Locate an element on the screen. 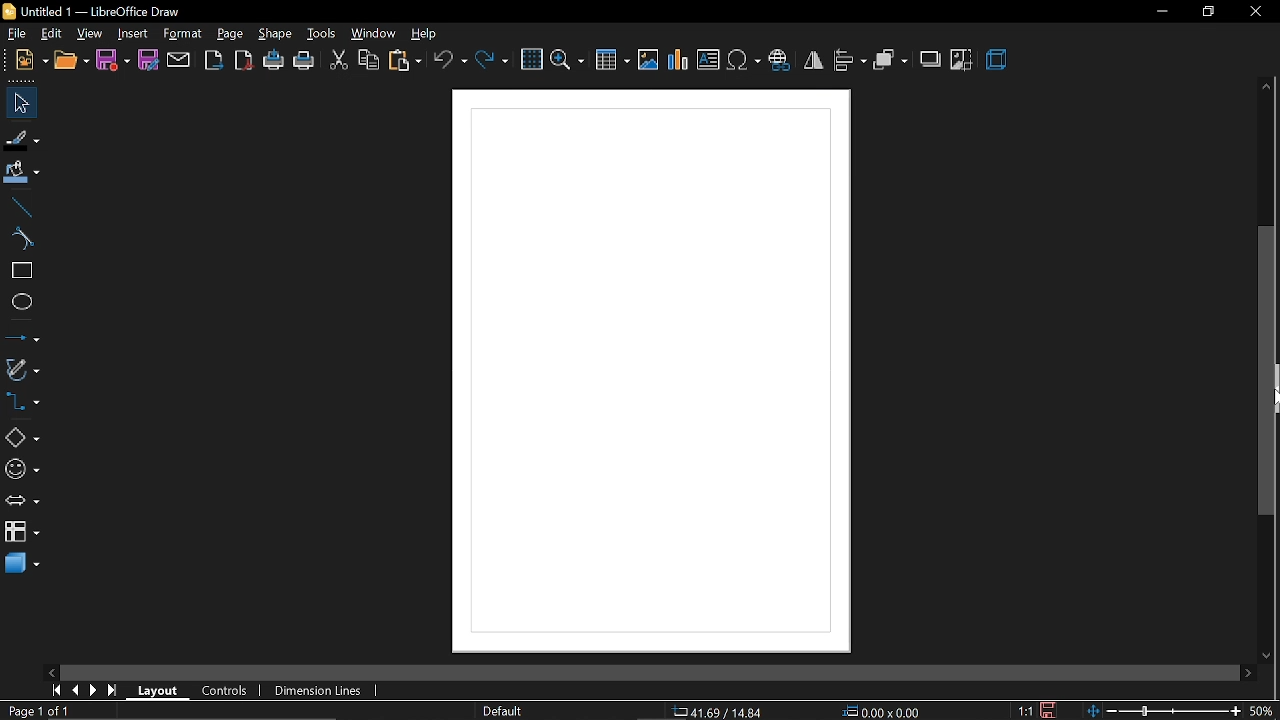 This screenshot has width=1280, height=720. insert image is located at coordinates (647, 62).